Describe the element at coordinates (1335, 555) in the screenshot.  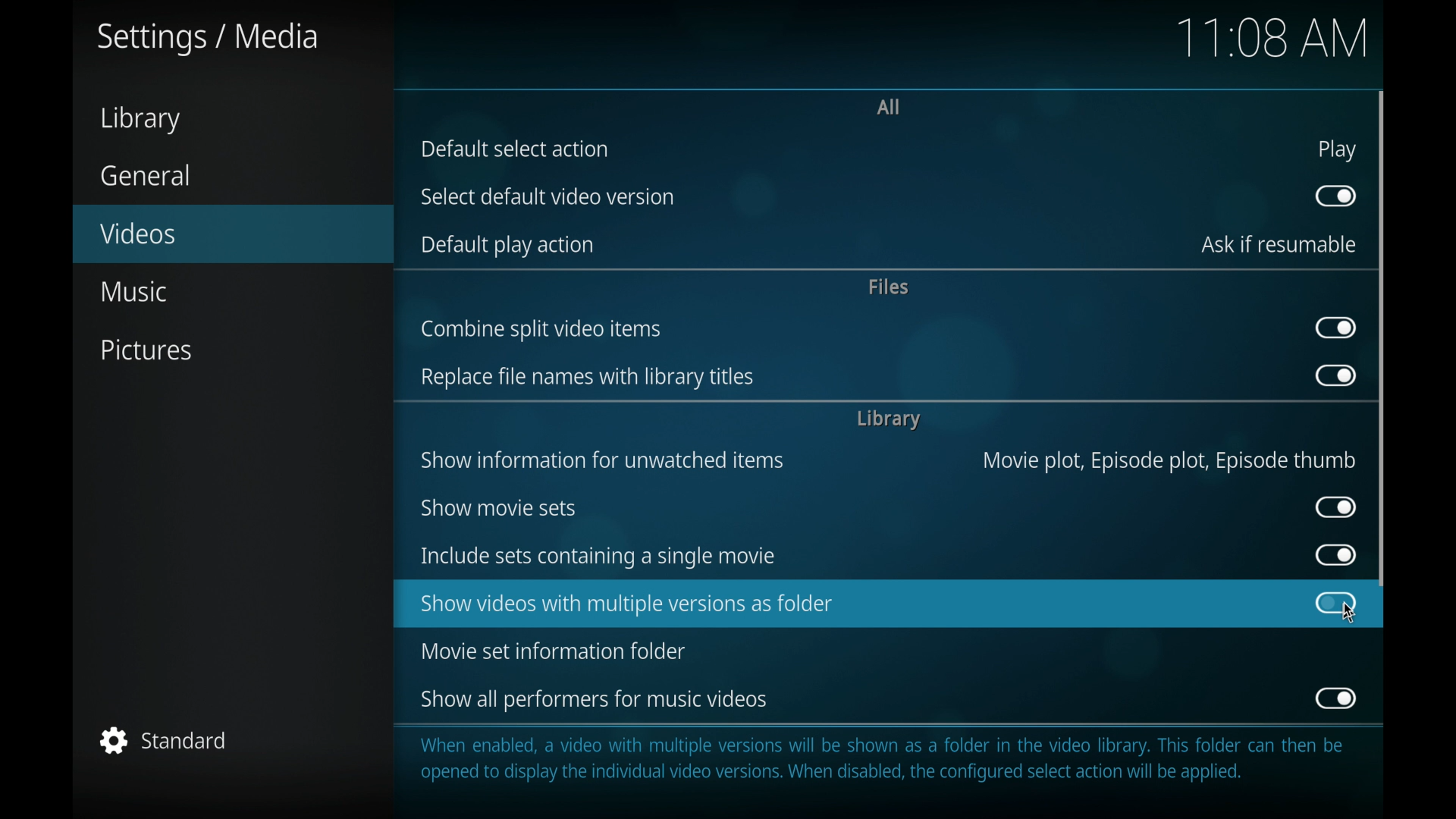
I see `toggle button` at that location.